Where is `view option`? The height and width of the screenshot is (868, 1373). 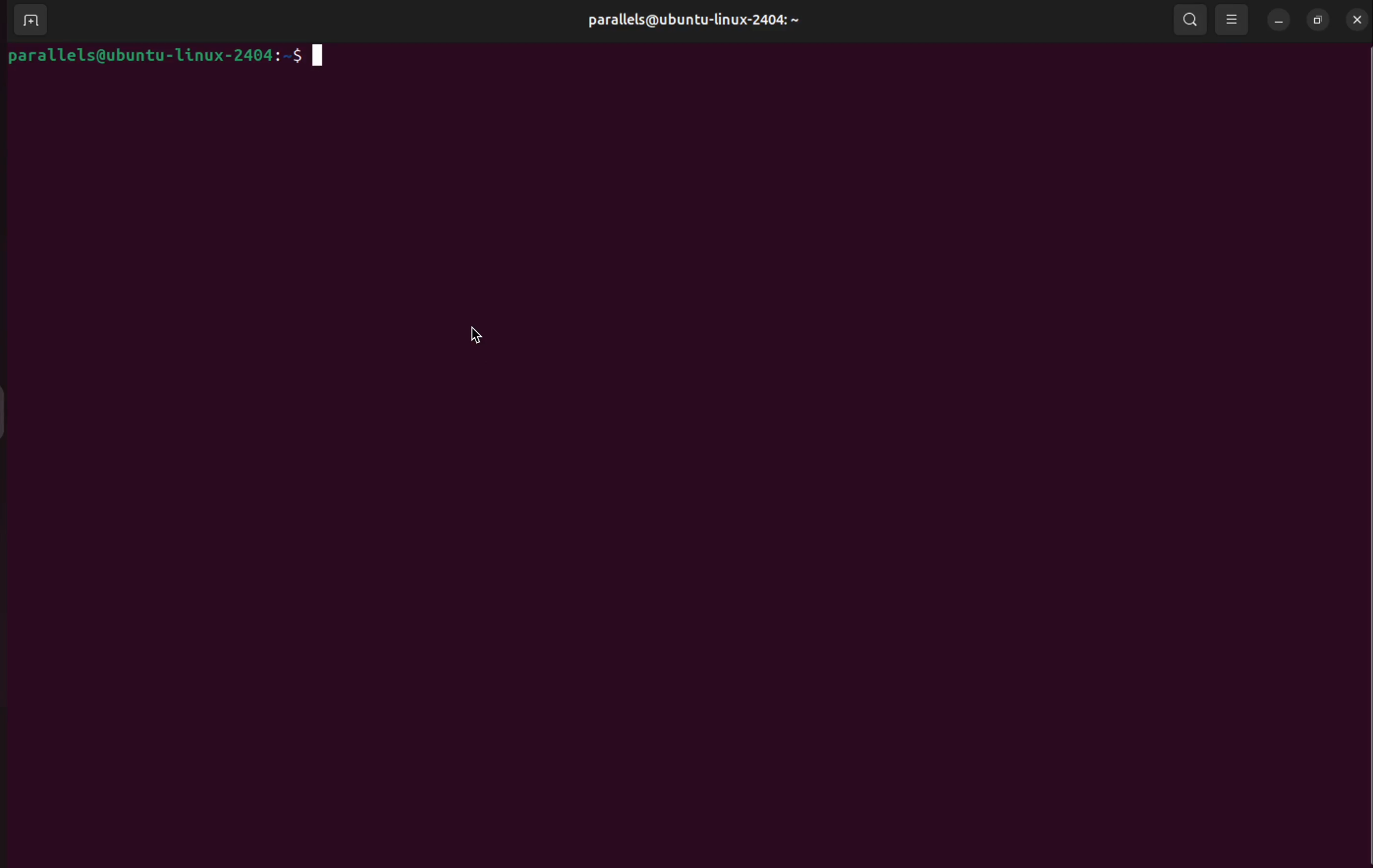
view option is located at coordinates (1233, 20).